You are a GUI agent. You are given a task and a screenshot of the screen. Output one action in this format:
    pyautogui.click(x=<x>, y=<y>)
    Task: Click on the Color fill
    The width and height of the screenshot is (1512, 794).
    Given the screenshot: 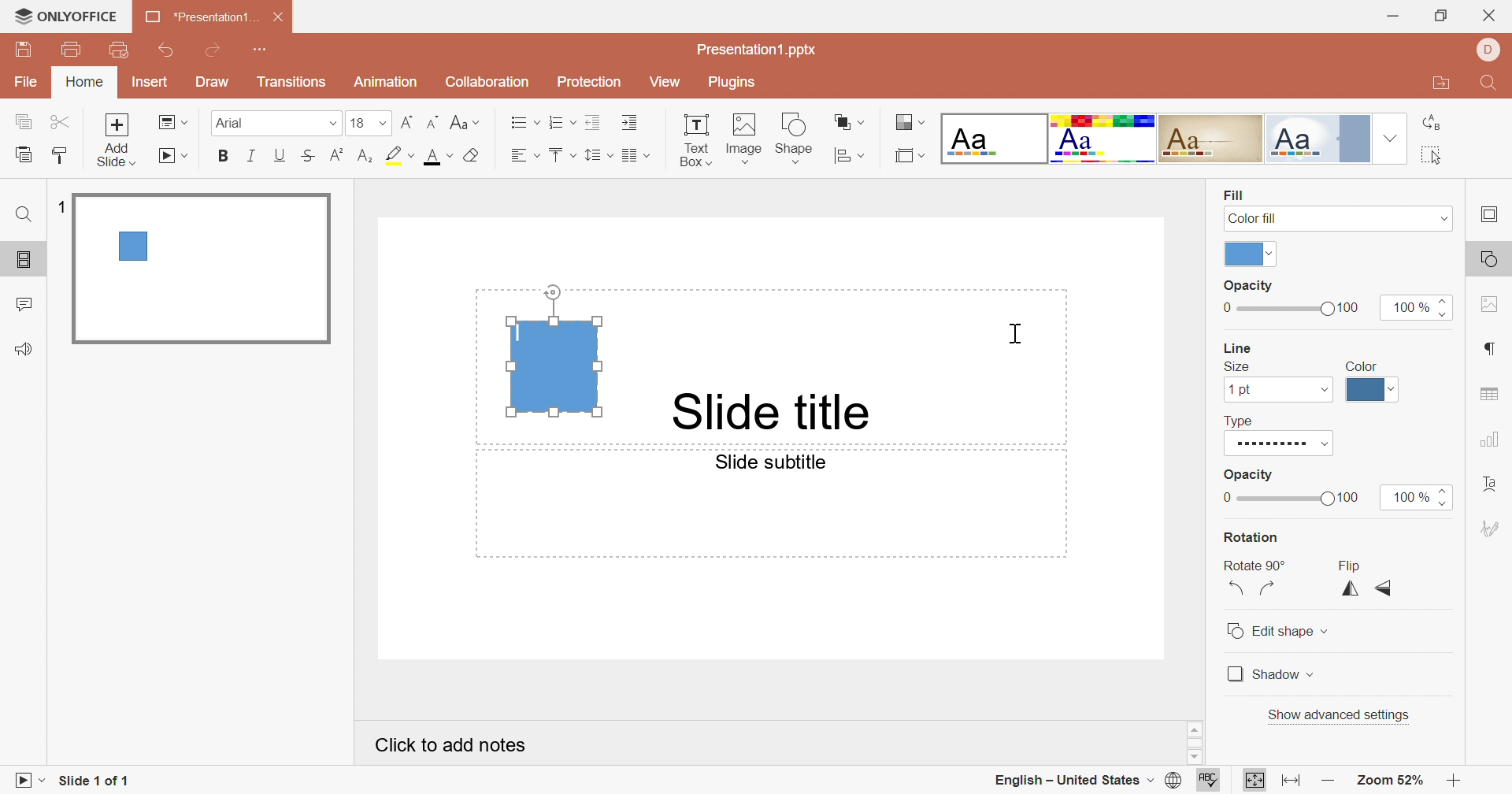 What is the action you would take?
    pyautogui.click(x=1254, y=218)
    